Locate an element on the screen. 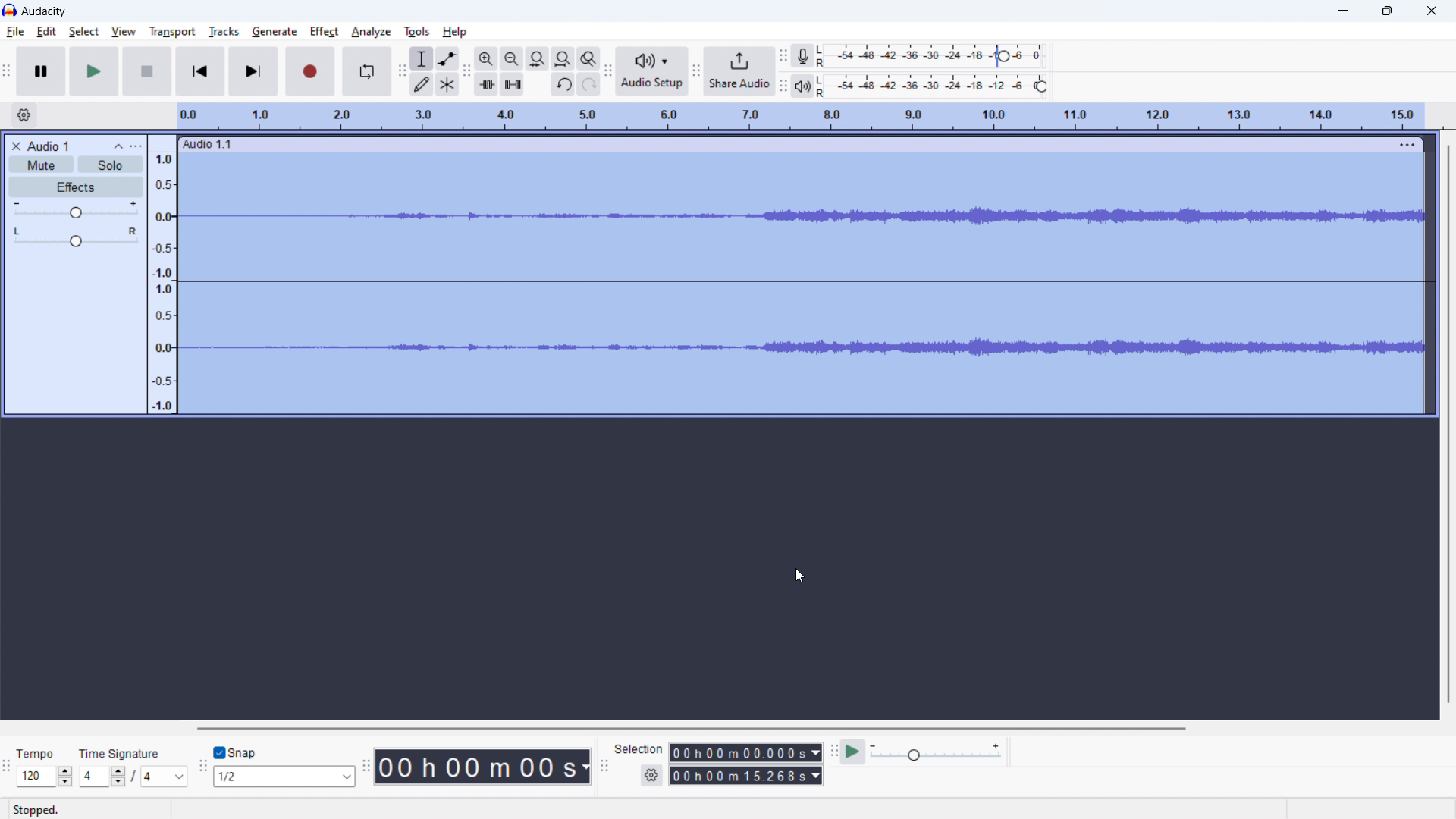  enable looping is located at coordinates (366, 71).